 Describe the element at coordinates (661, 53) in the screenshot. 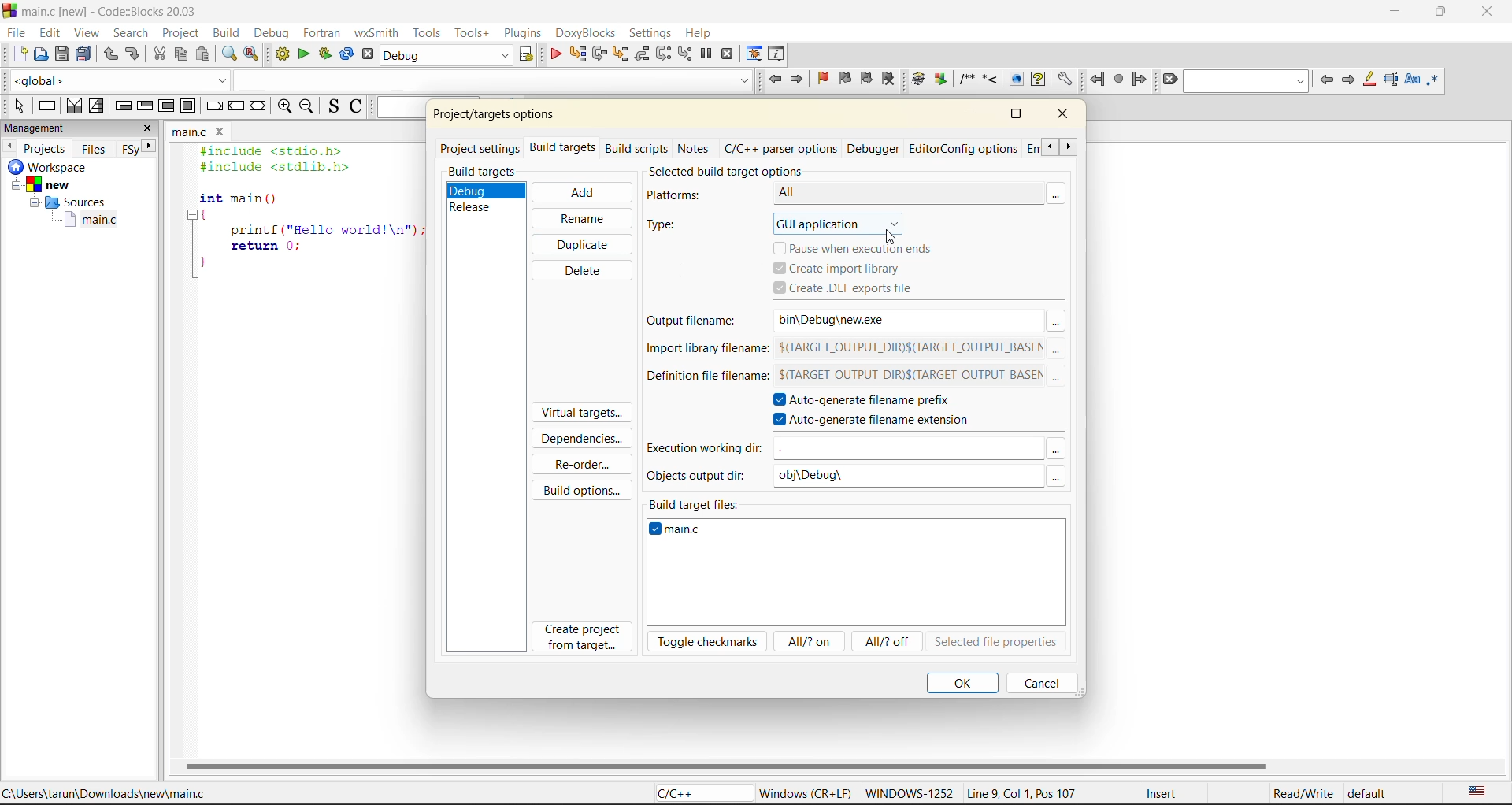

I see `next instruction` at that location.